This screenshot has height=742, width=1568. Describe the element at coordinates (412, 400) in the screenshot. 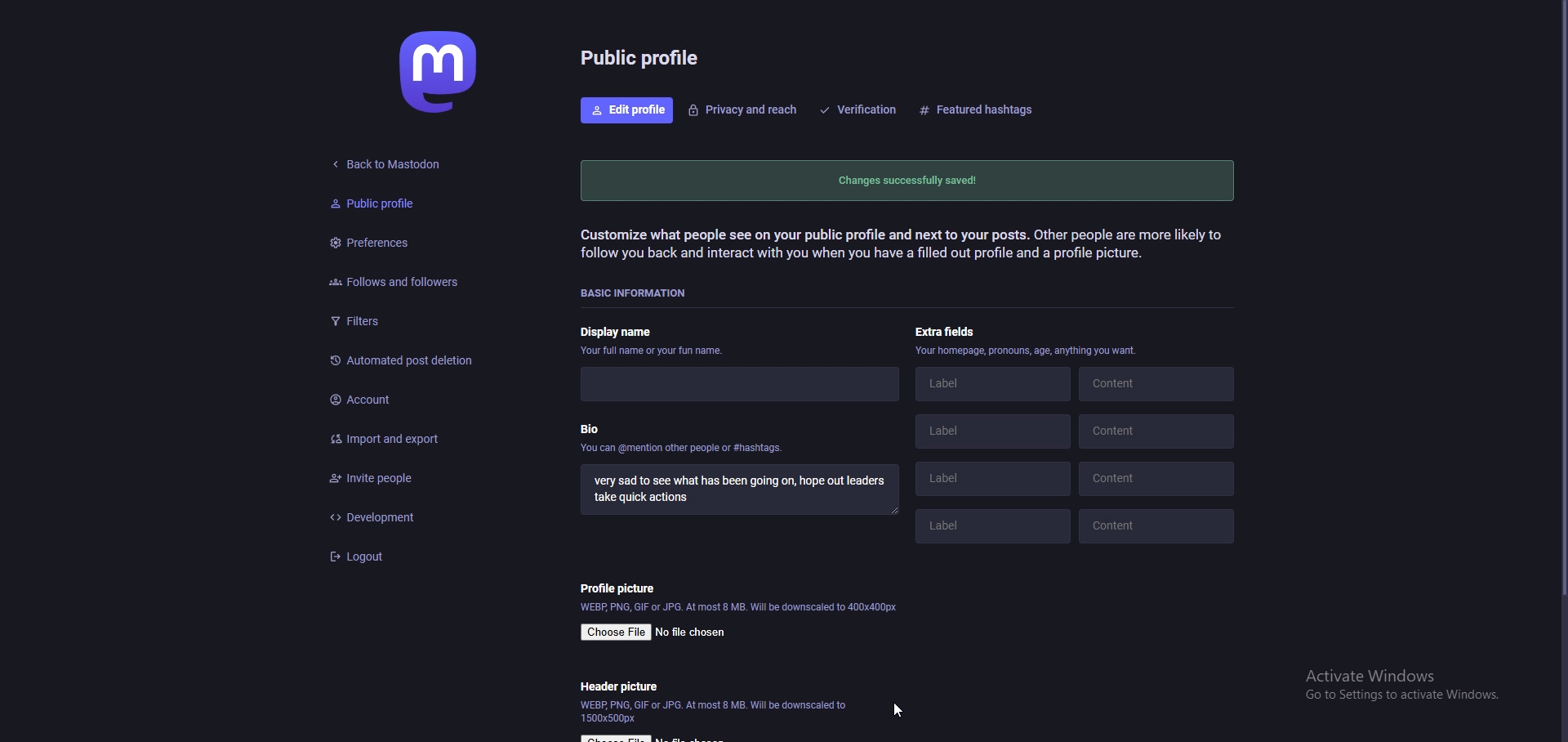

I see `account` at that location.